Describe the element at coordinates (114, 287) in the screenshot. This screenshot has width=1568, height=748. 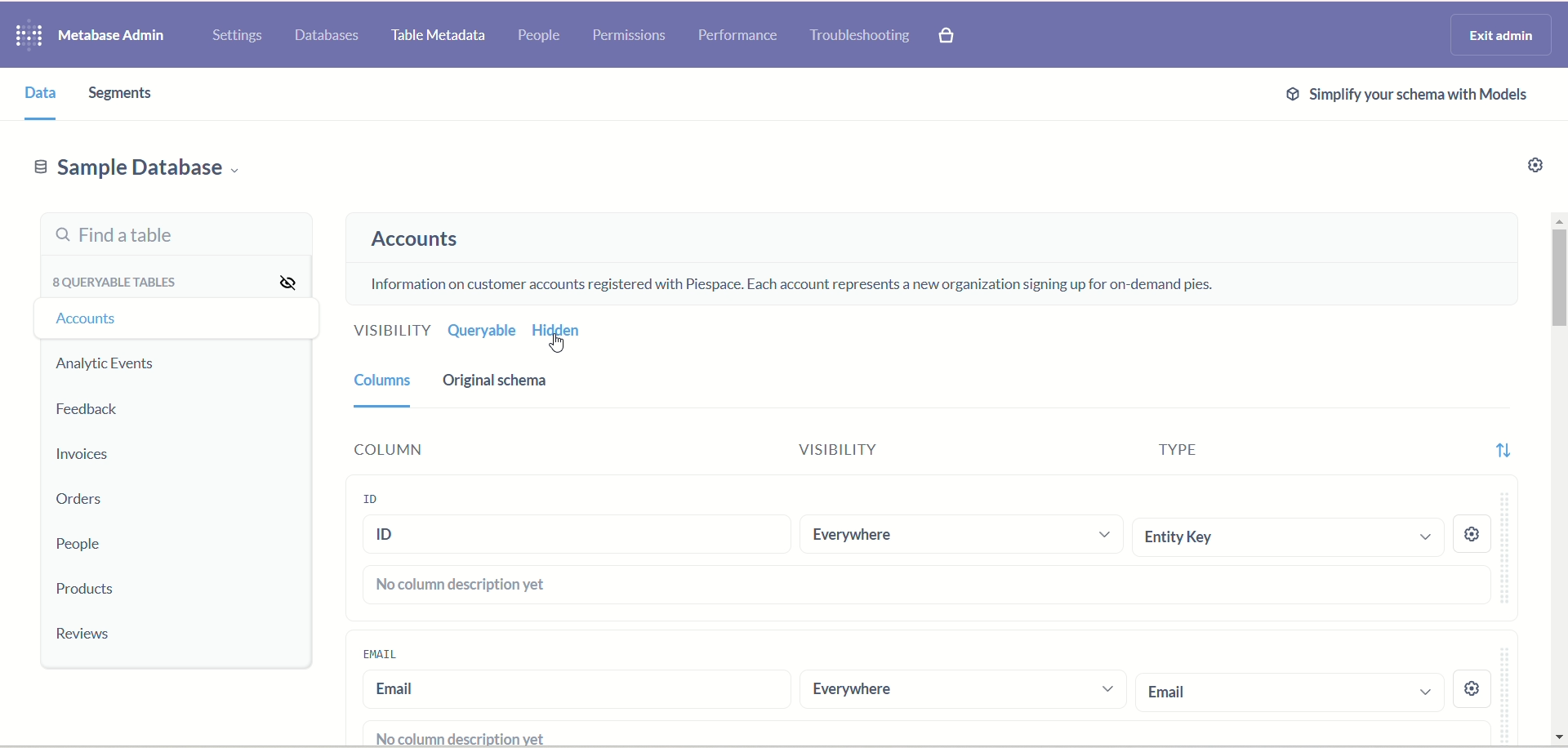
I see `queryable tables` at that location.